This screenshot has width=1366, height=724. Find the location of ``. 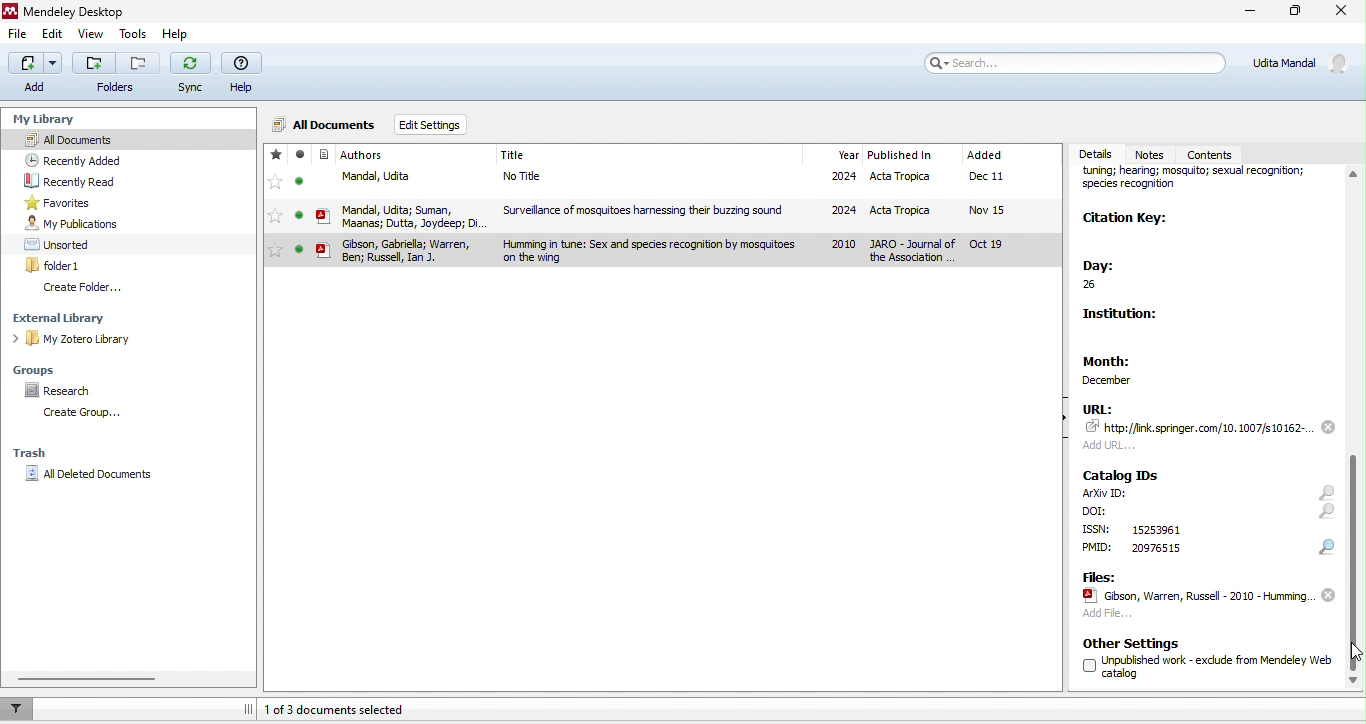

 is located at coordinates (116, 72).